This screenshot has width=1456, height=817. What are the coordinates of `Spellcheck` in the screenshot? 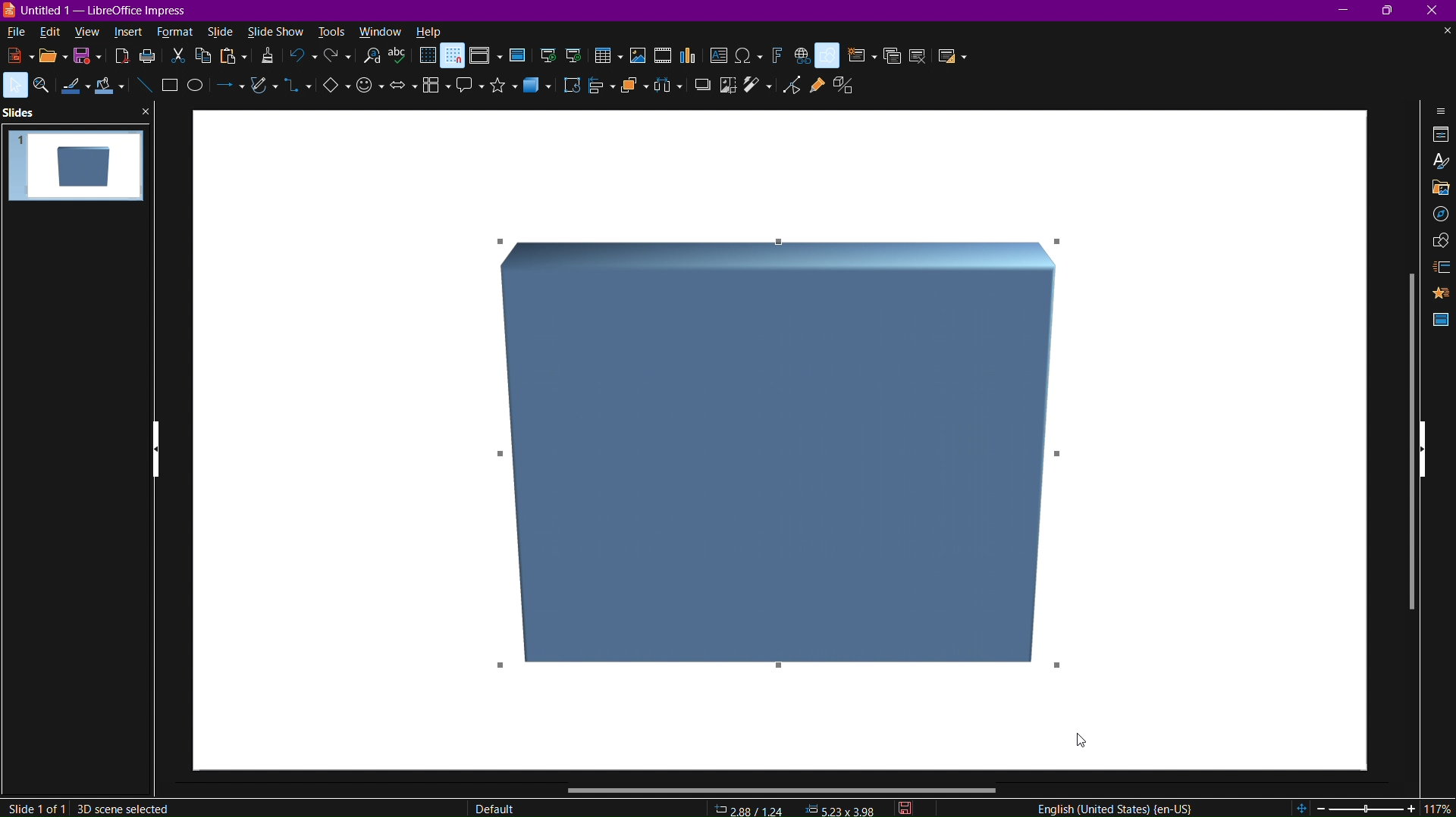 It's located at (401, 59).